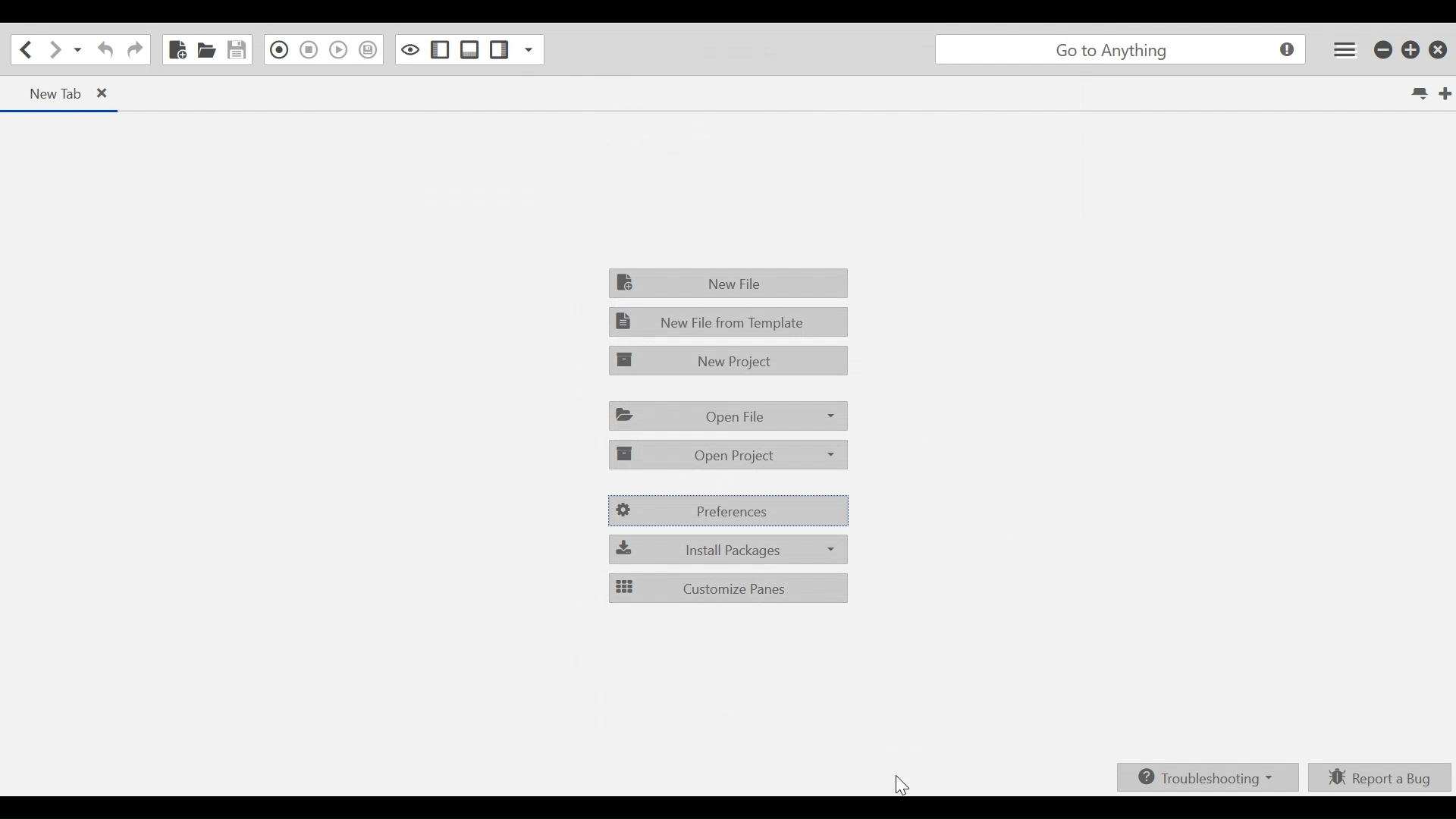 Image resolution: width=1456 pixels, height=819 pixels. What do you see at coordinates (529, 49) in the screenshot?
I see `Show Specific Sidebar` at bounding box center [529, 49].